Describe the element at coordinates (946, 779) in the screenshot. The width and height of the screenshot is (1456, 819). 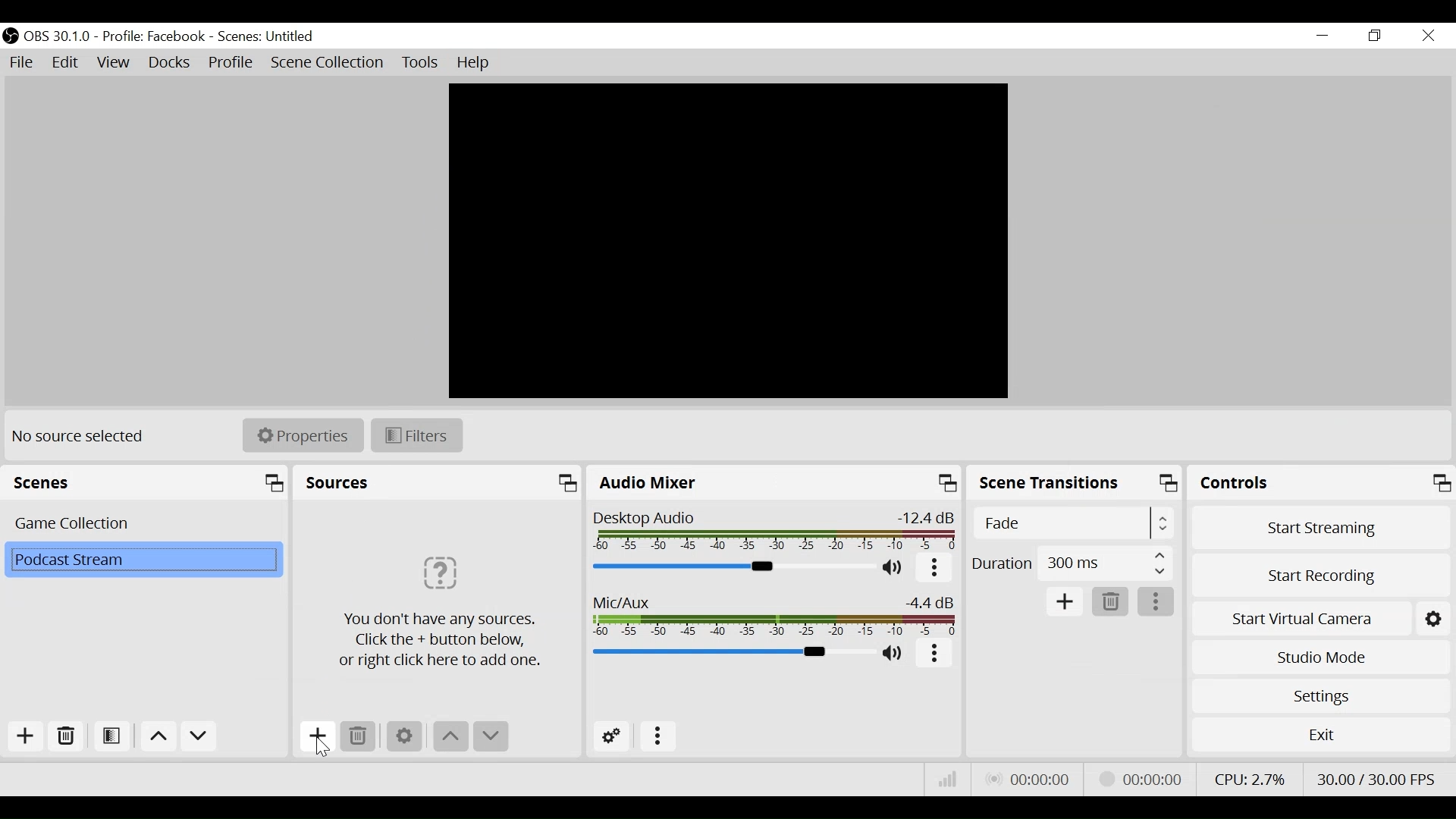
I see `Bitrate` at that location.